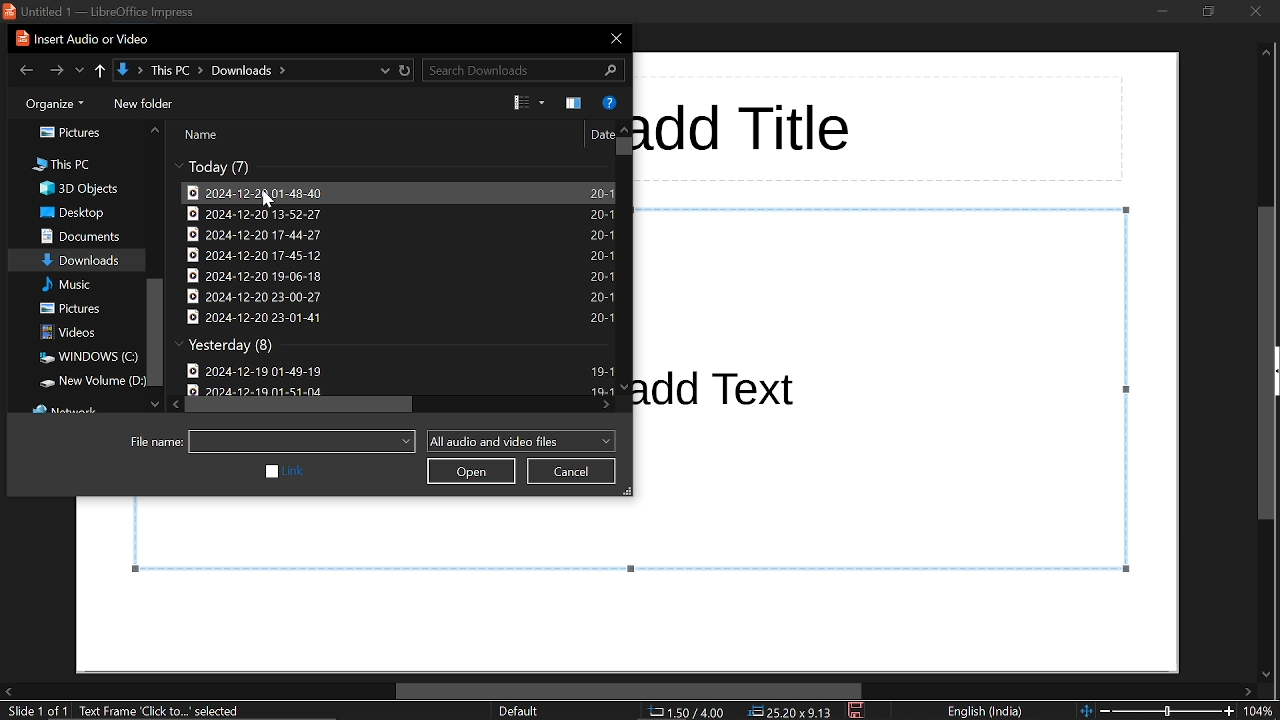 Image resolution: width=1280 pixels, height=720 pixels. I want to click on co-ordinate, so click(684, 713).